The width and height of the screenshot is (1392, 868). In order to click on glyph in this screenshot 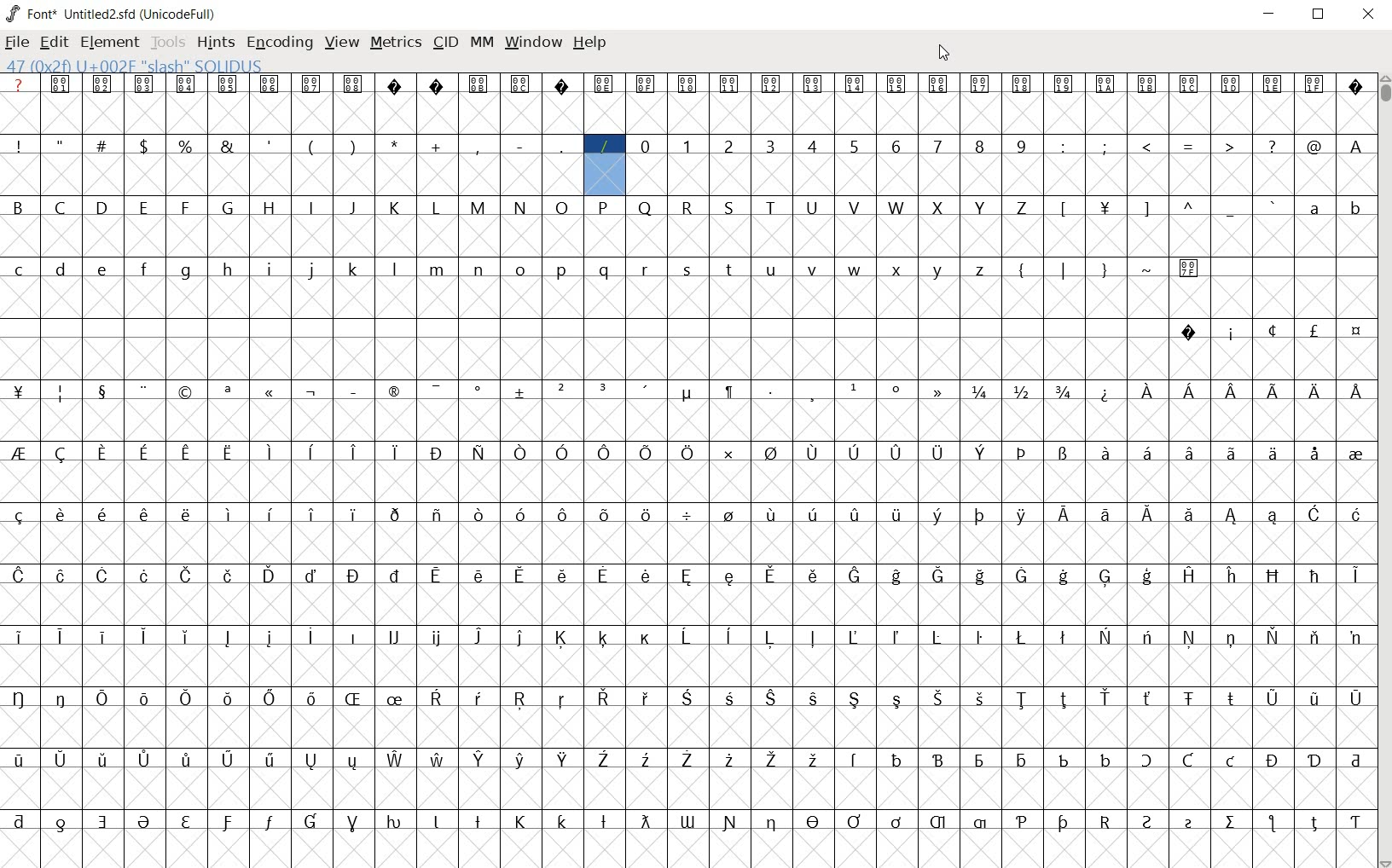, I will do `click(1105, 697)`.